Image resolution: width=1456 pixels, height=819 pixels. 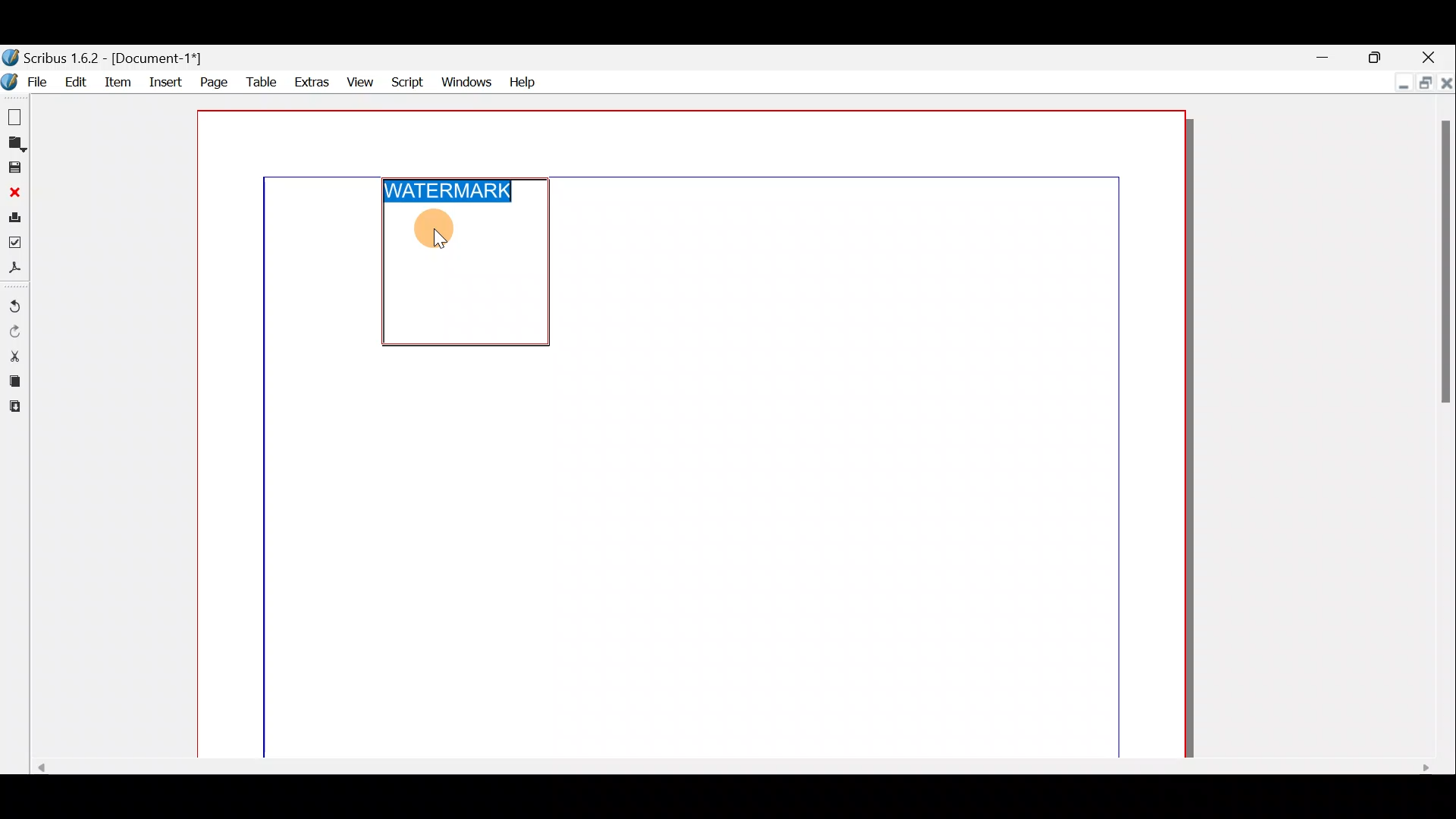 I want to click on Insert, so click(x=166, y=80).